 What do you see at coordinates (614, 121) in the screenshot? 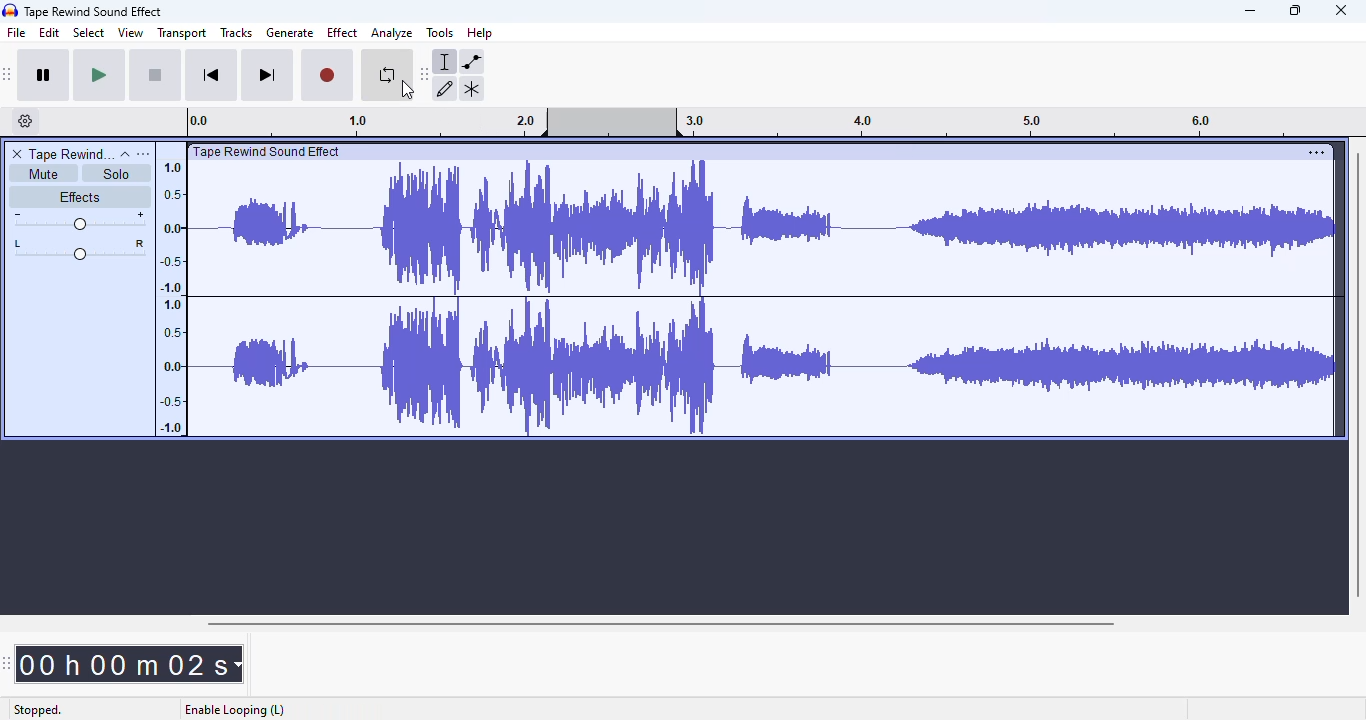
I see `looping region` at bounding box center [614, 121].